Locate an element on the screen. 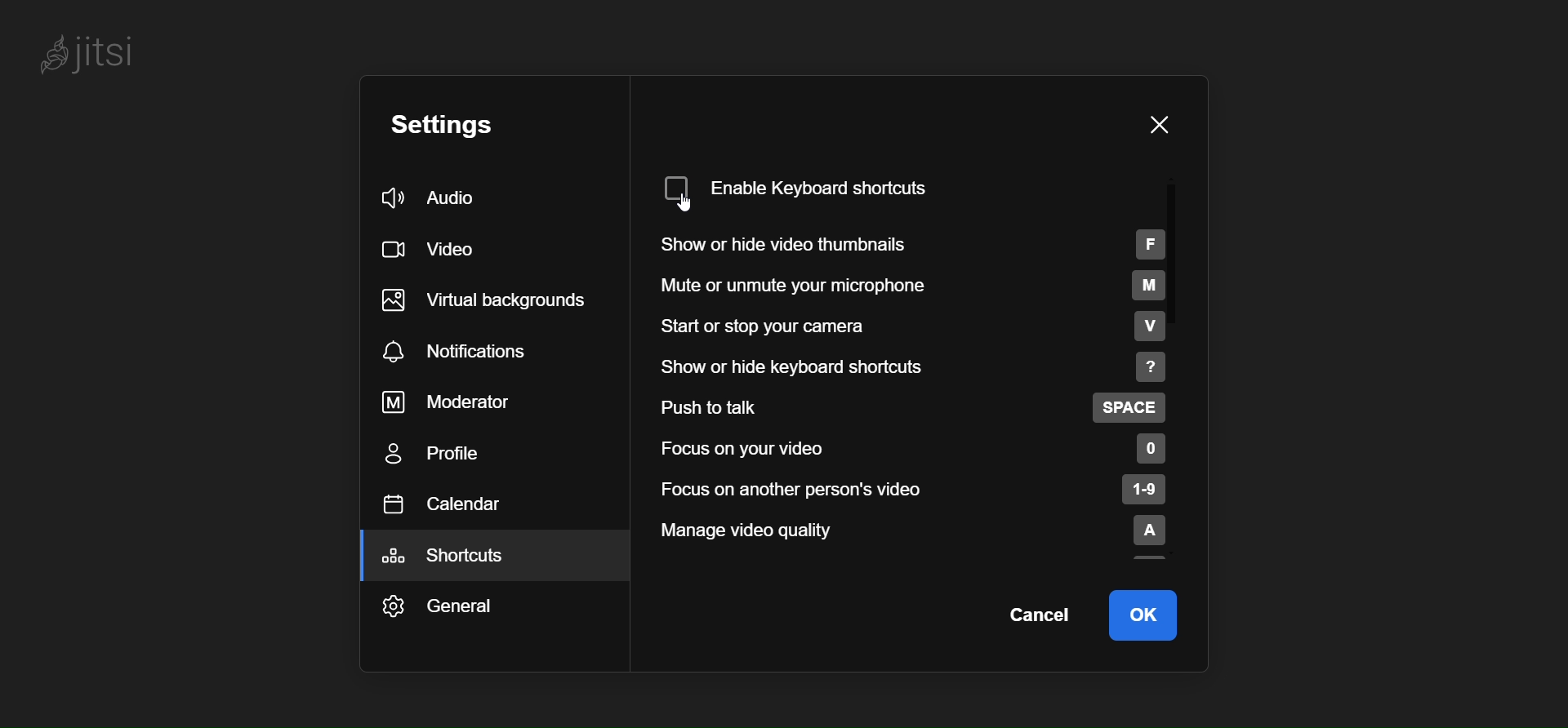 The height and width of the screenshot is (728, 1568). shortcut is located at coordinates (452, 557).